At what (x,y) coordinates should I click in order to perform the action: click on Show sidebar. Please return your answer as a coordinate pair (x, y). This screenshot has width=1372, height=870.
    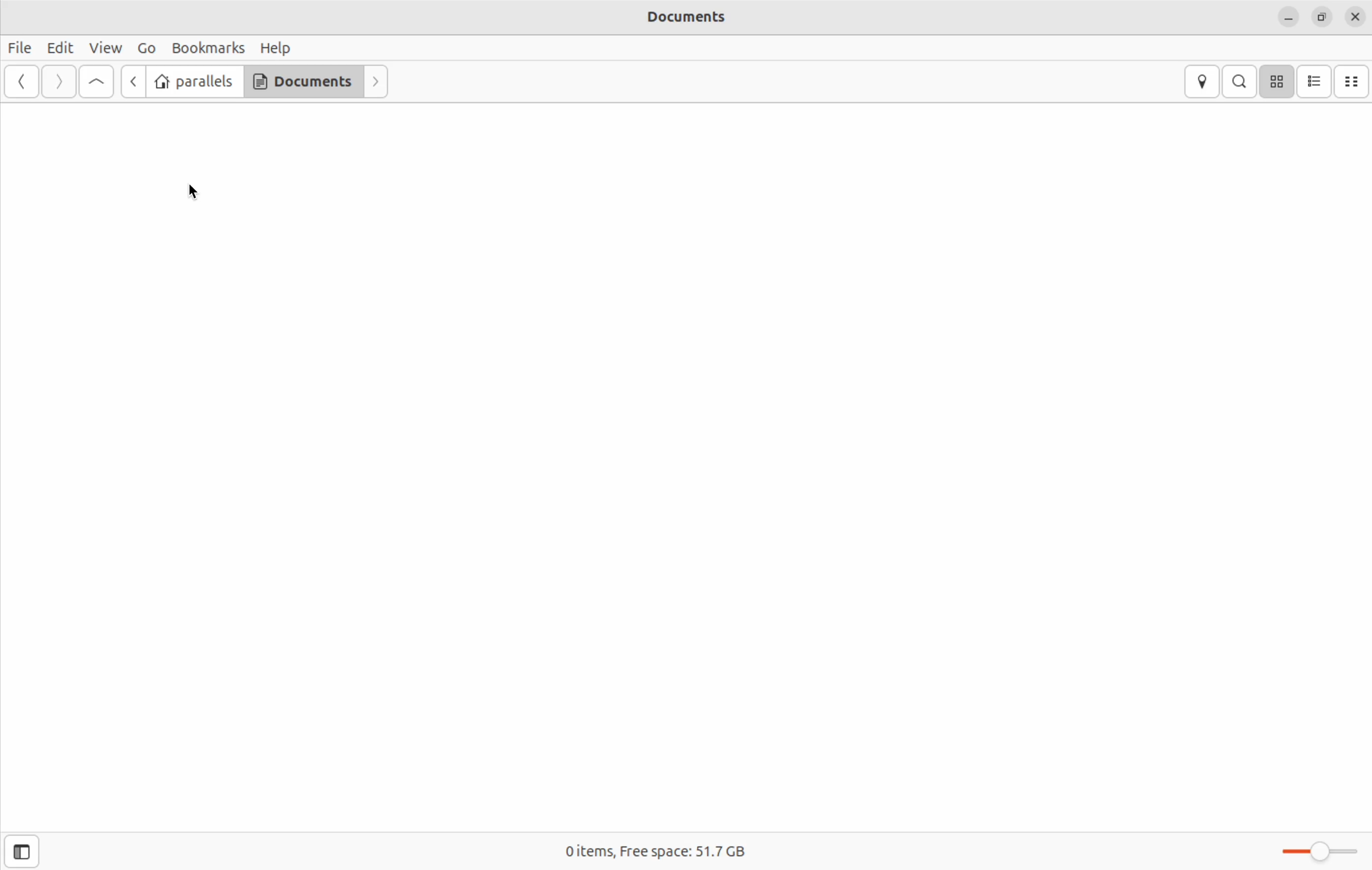
    Looking at the image, I should click on (22, 851).